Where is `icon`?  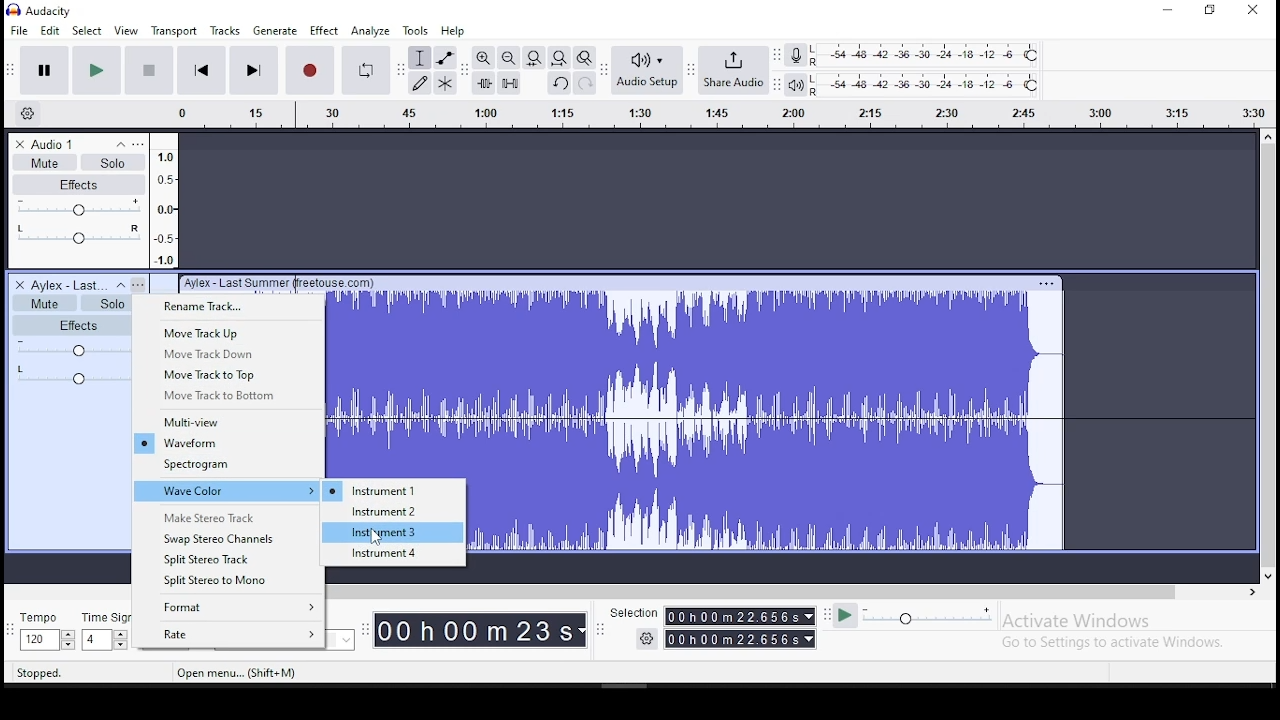
icon is located at coordinates (54, 10).